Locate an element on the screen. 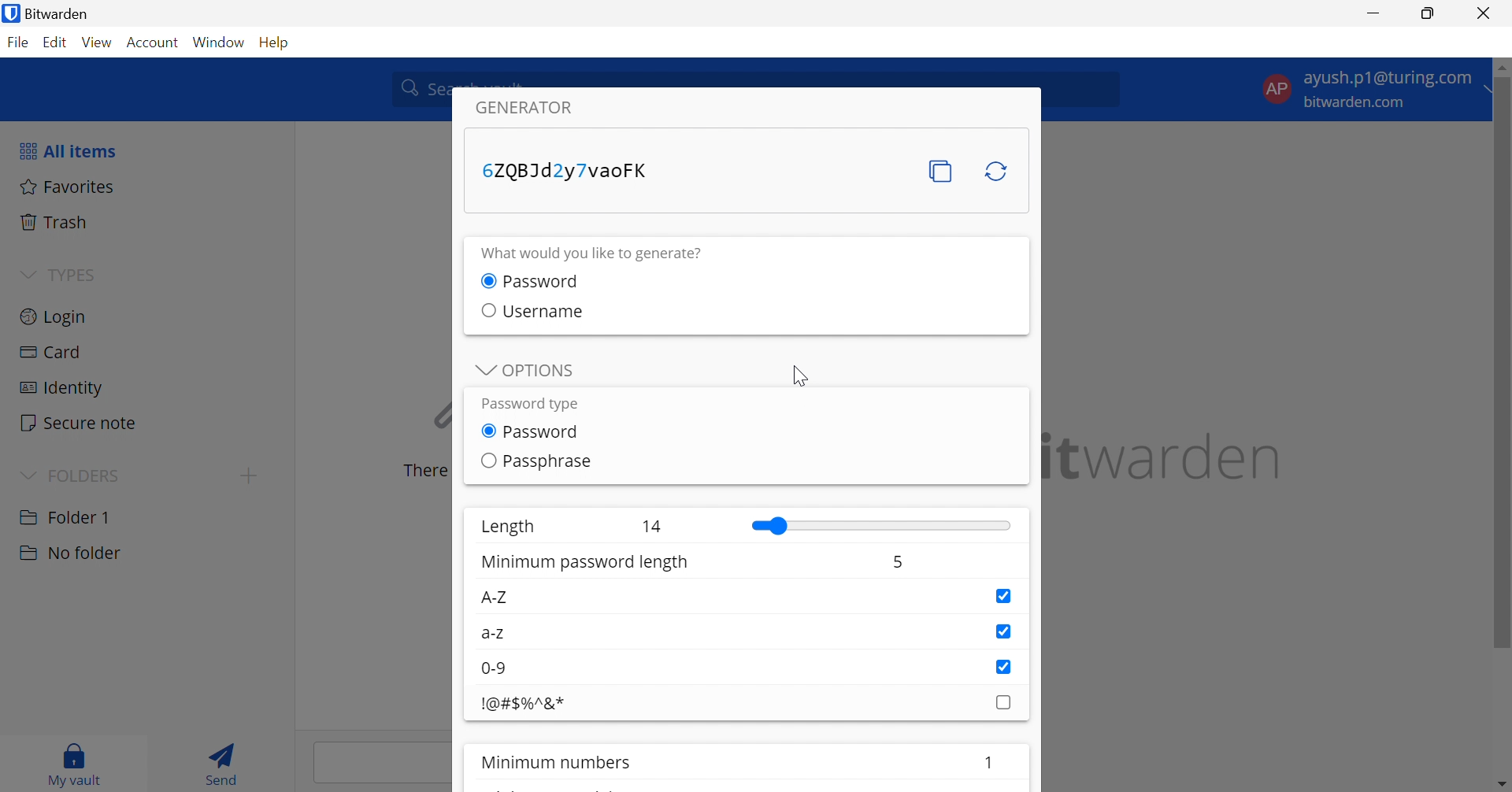 Image resolution: width=1512 pixels, height=792 pixels. move down is located at coordinates (1503, 783).